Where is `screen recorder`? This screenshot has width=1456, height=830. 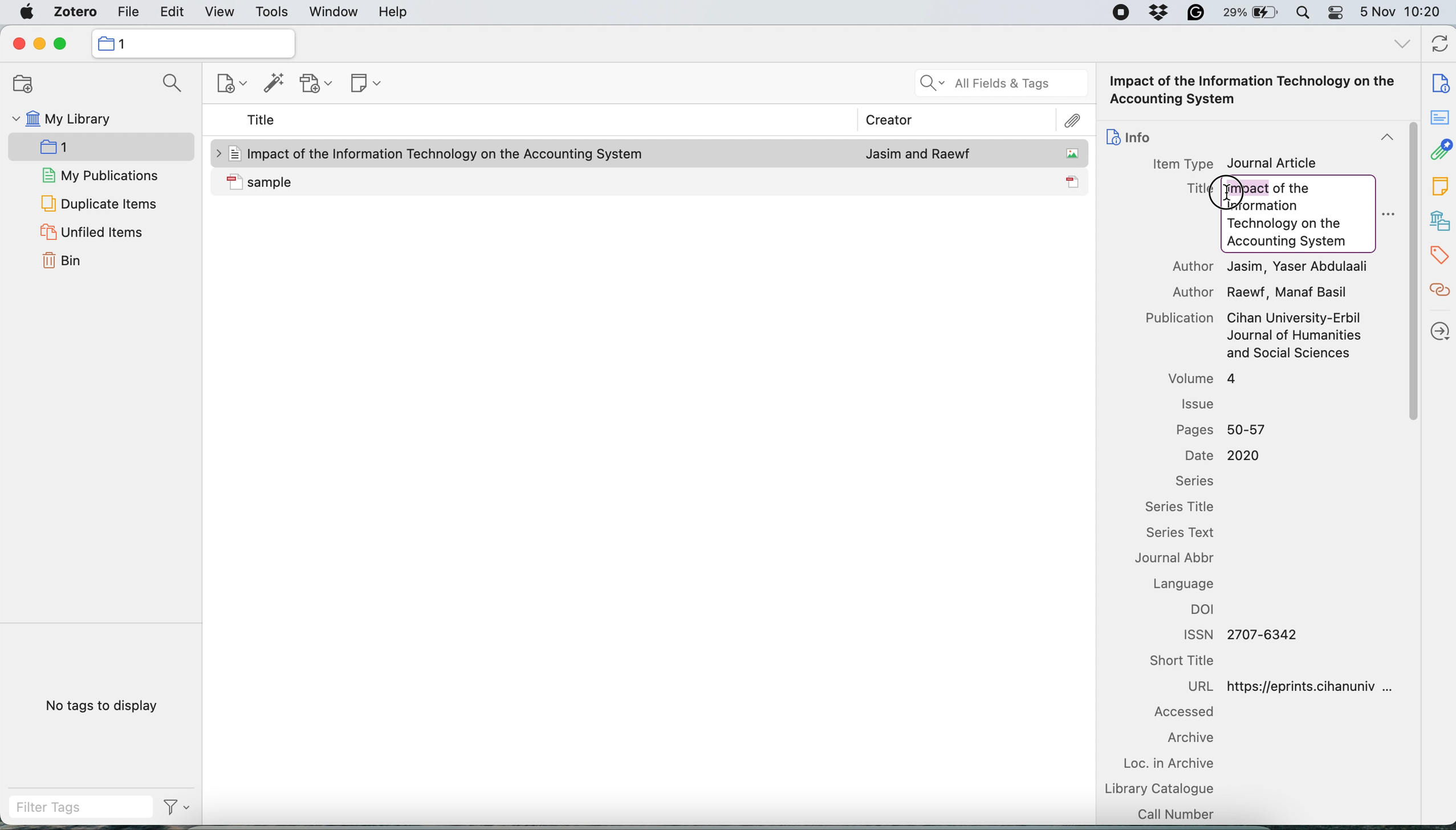
screen recorder is located at coordinates (1123, 12).